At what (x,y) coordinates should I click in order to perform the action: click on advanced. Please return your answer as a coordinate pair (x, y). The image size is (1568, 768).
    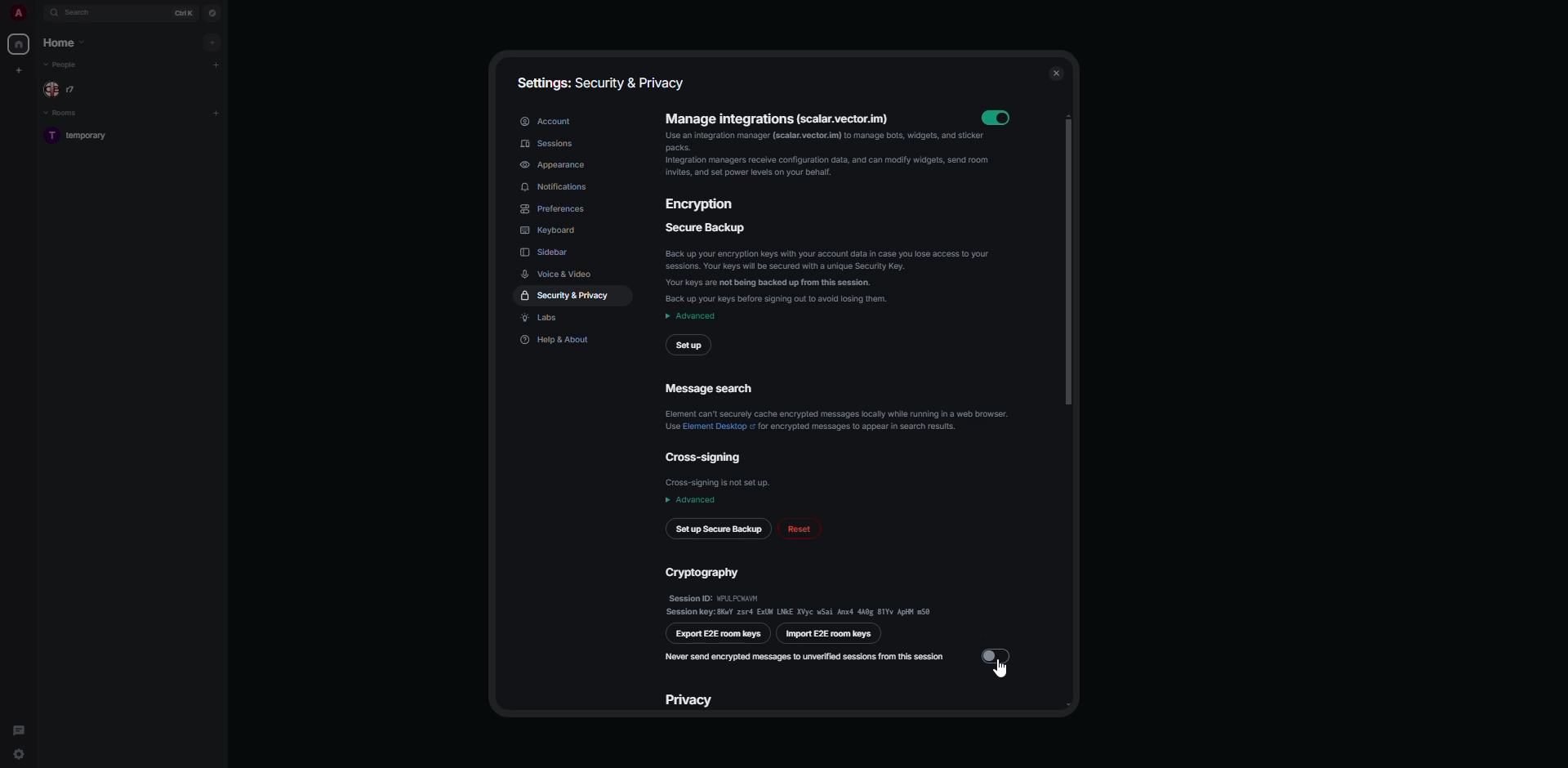
    Looking at the image, I should click on (692, 316).